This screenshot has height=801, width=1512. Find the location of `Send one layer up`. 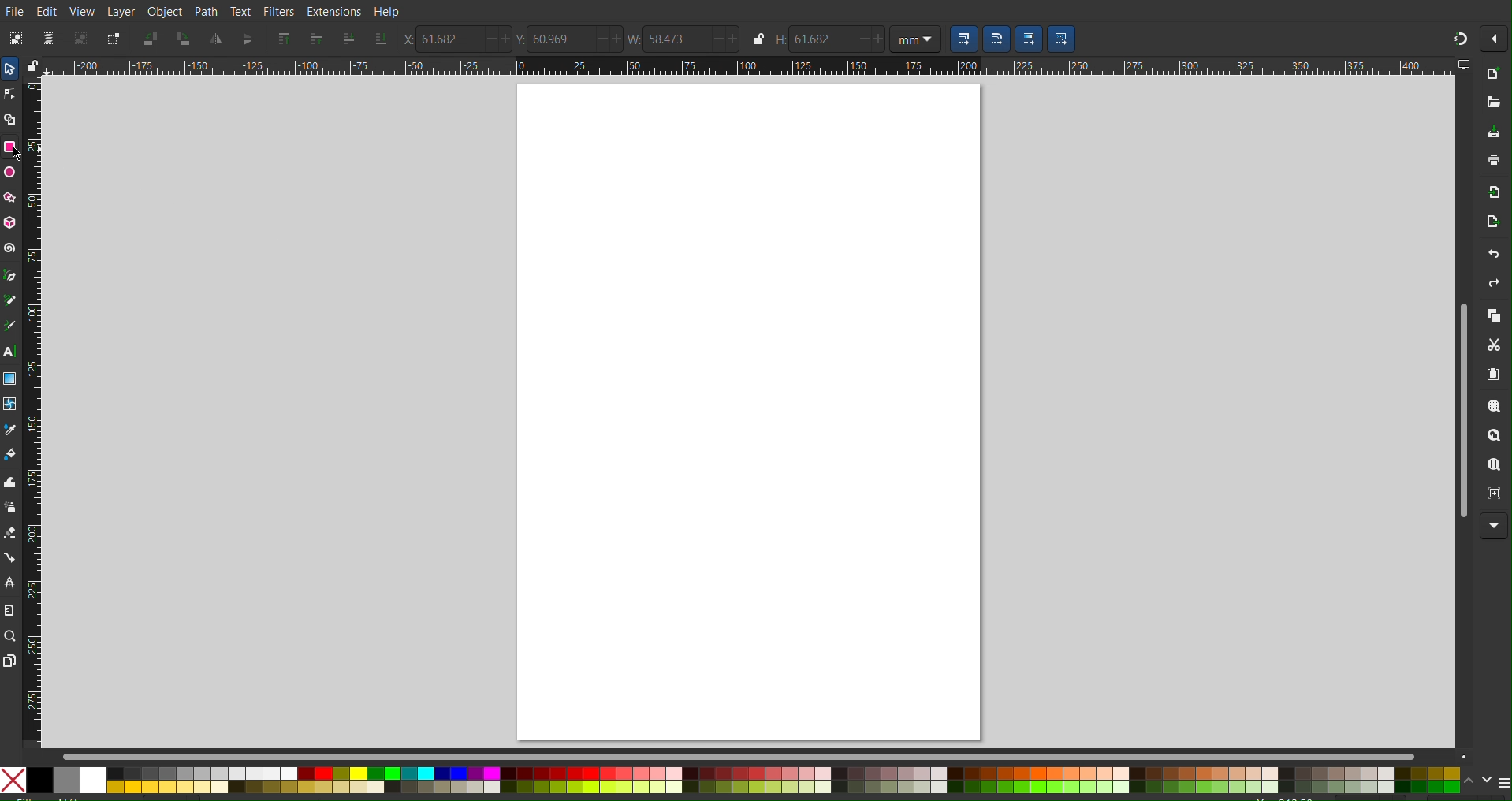

Send one layer up is located at coordinates (316, 39).